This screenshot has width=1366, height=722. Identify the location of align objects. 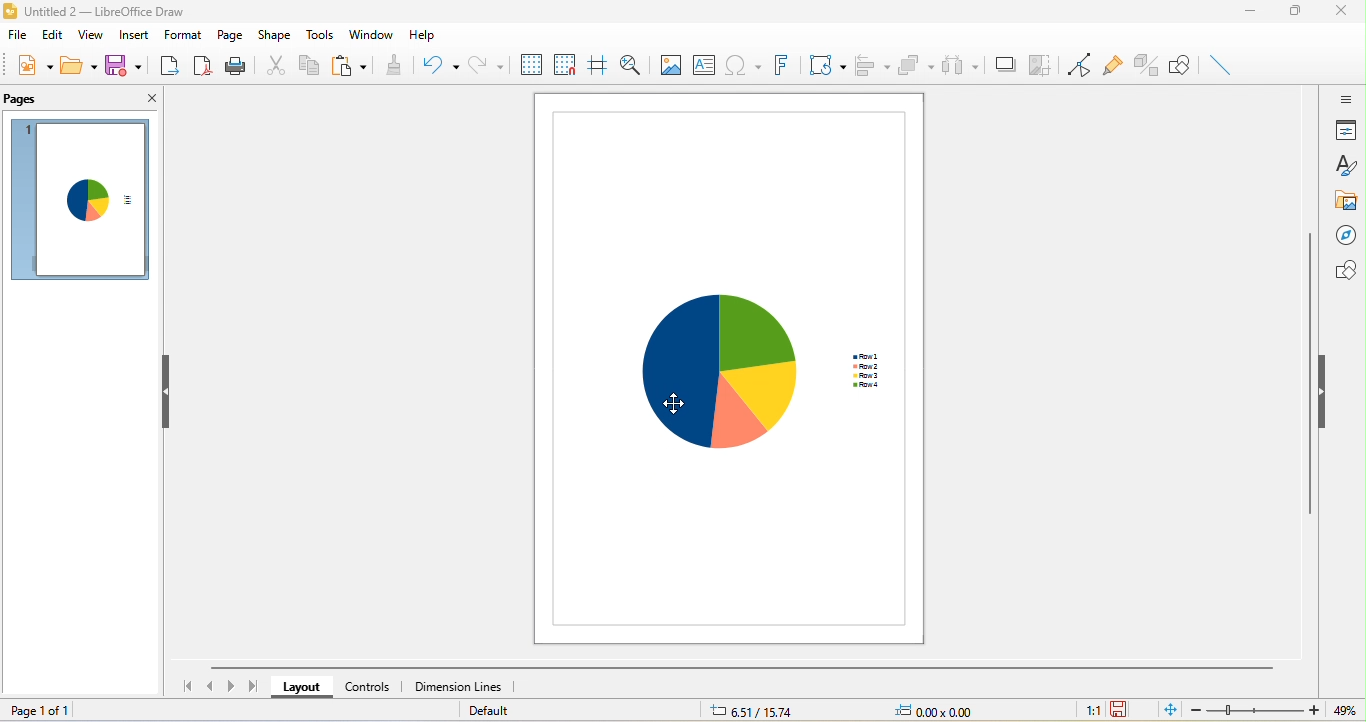
(871, 65).